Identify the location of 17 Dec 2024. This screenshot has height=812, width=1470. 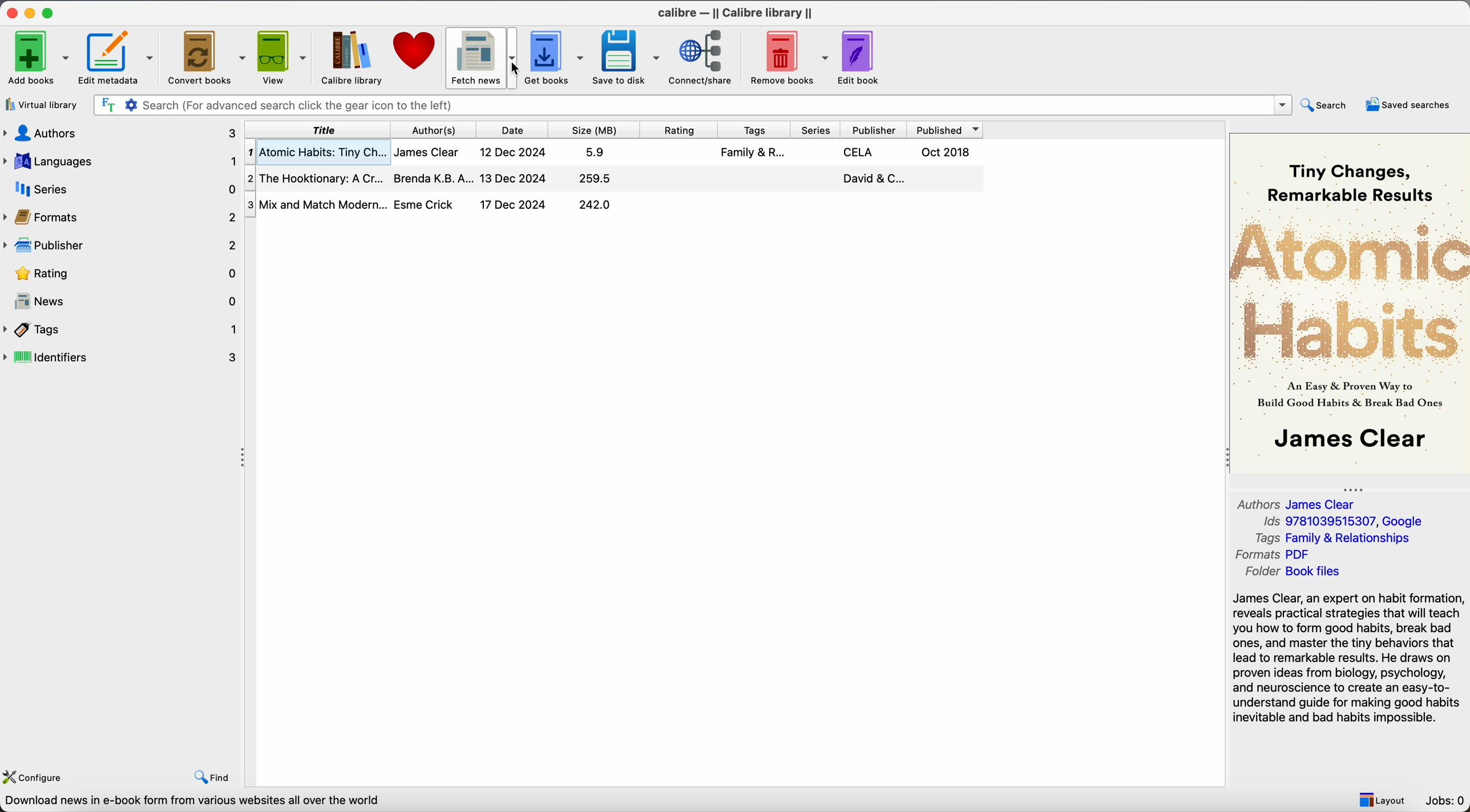
(512, 204).